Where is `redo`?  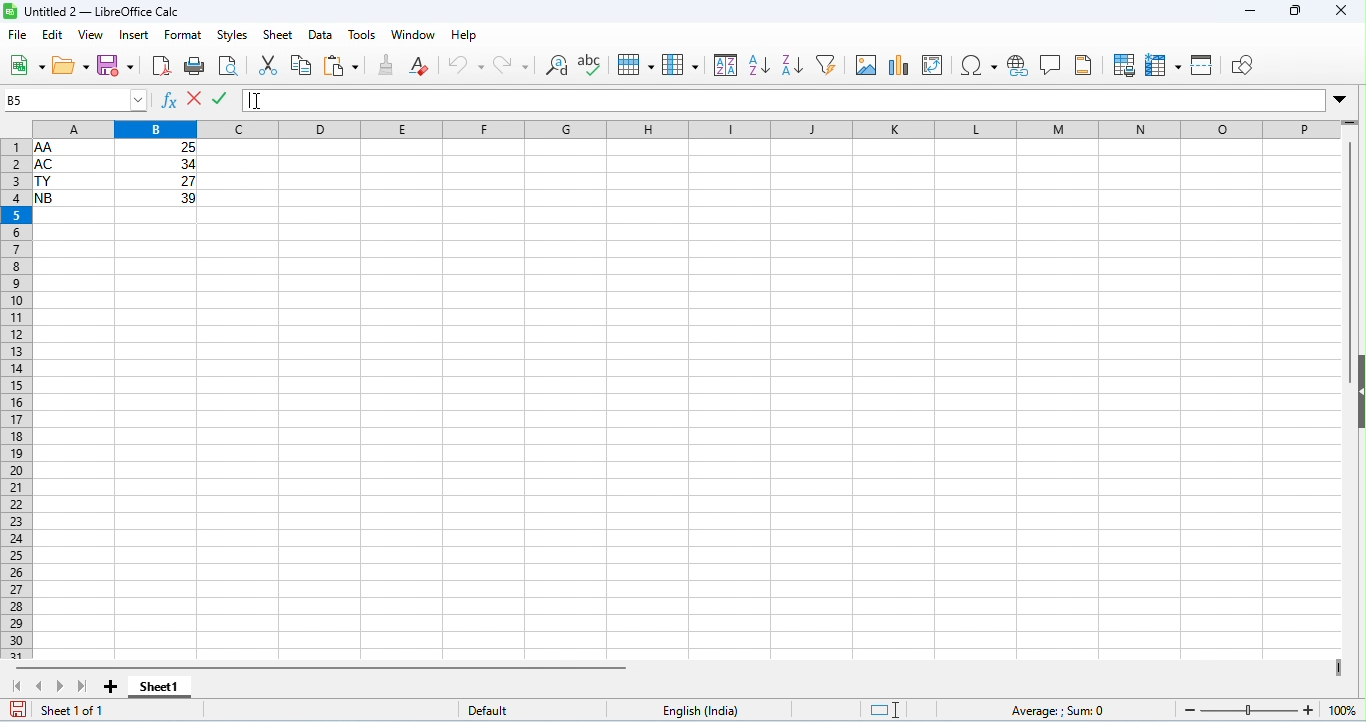
redo is located at coordinates (512, 66).